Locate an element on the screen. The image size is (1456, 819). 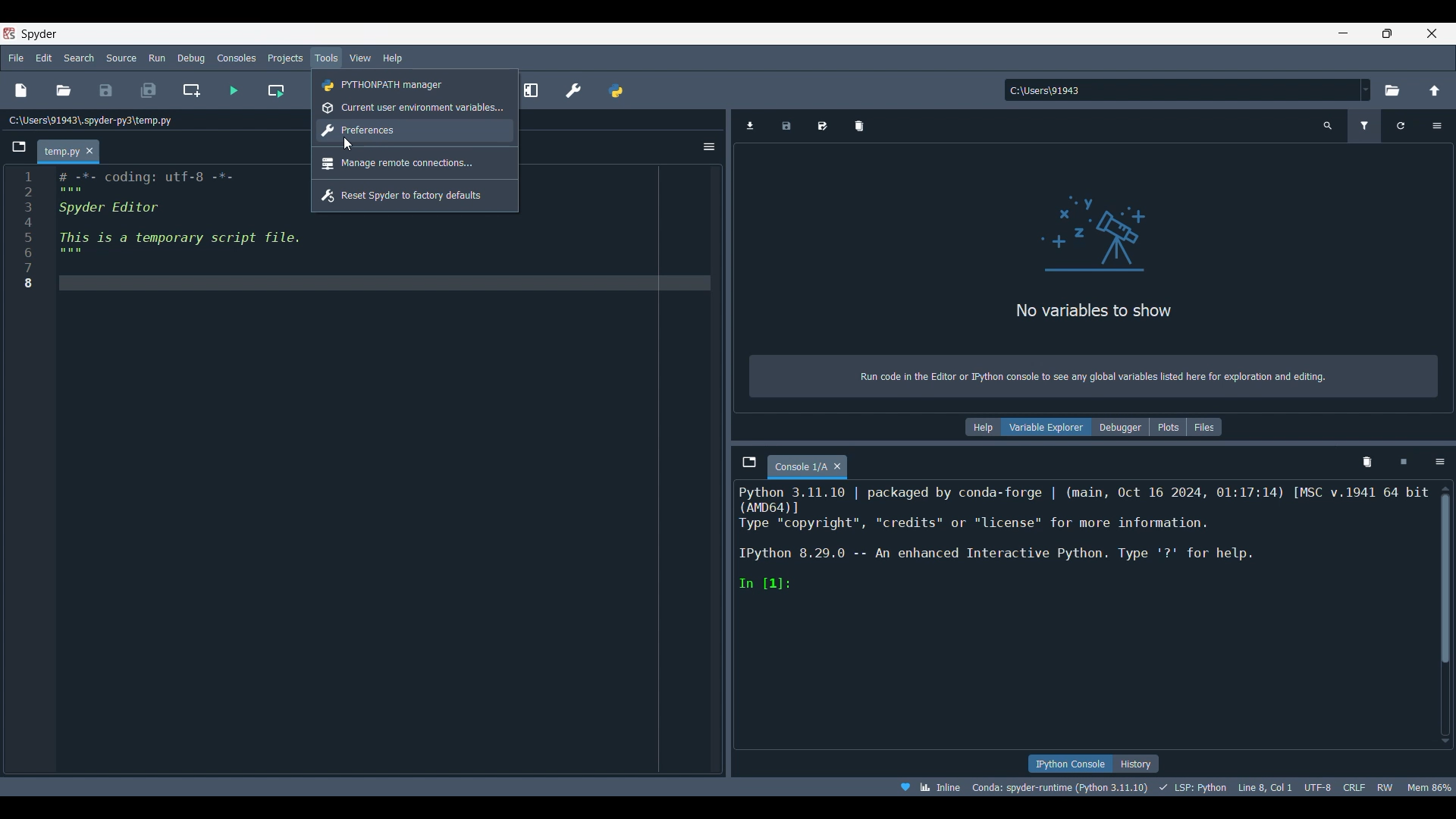
PYTHONPATH manager is located at coordinates (615, 90).